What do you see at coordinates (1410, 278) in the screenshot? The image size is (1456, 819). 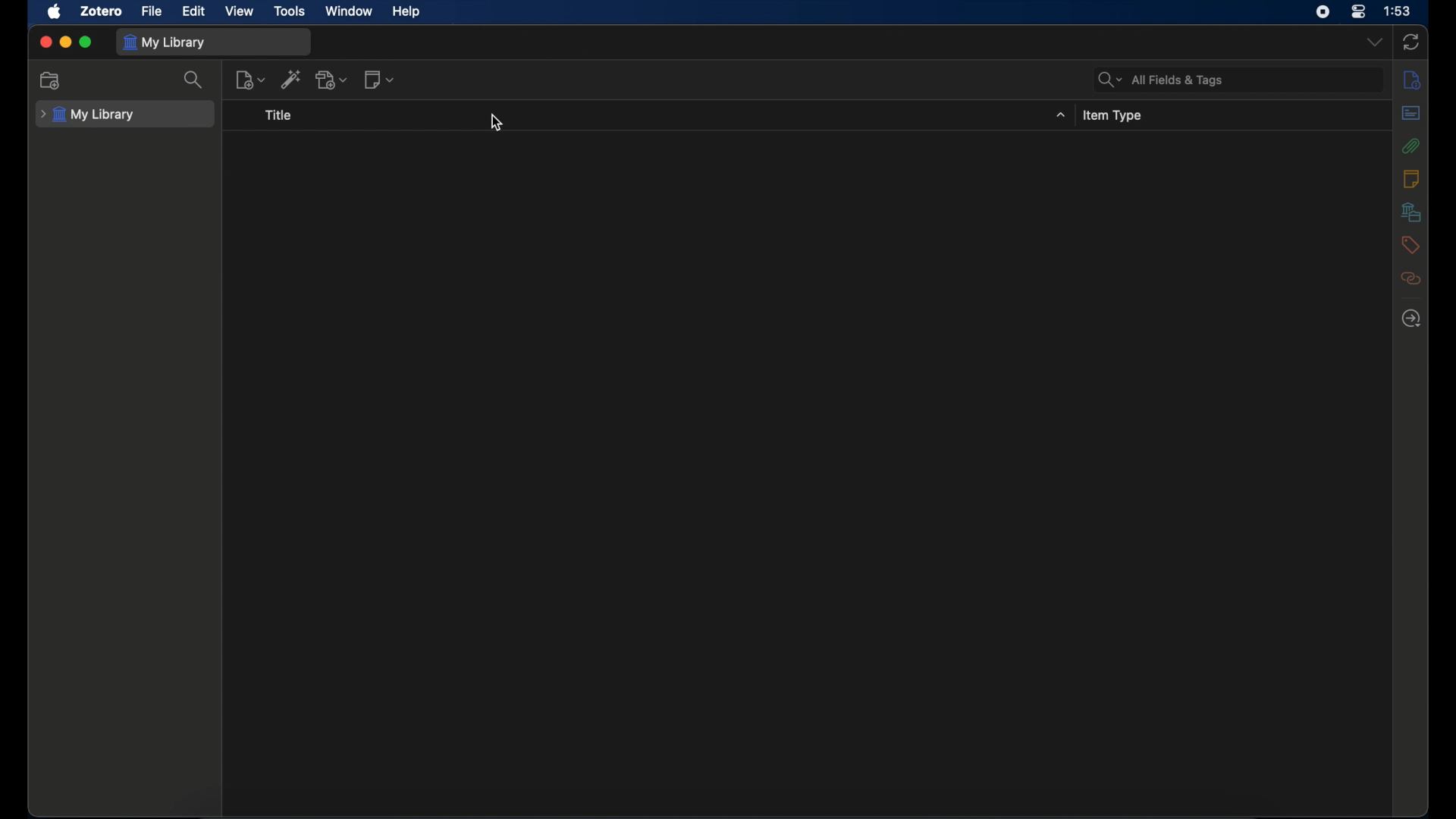 I see `related` at bounding box center [1410, 278].